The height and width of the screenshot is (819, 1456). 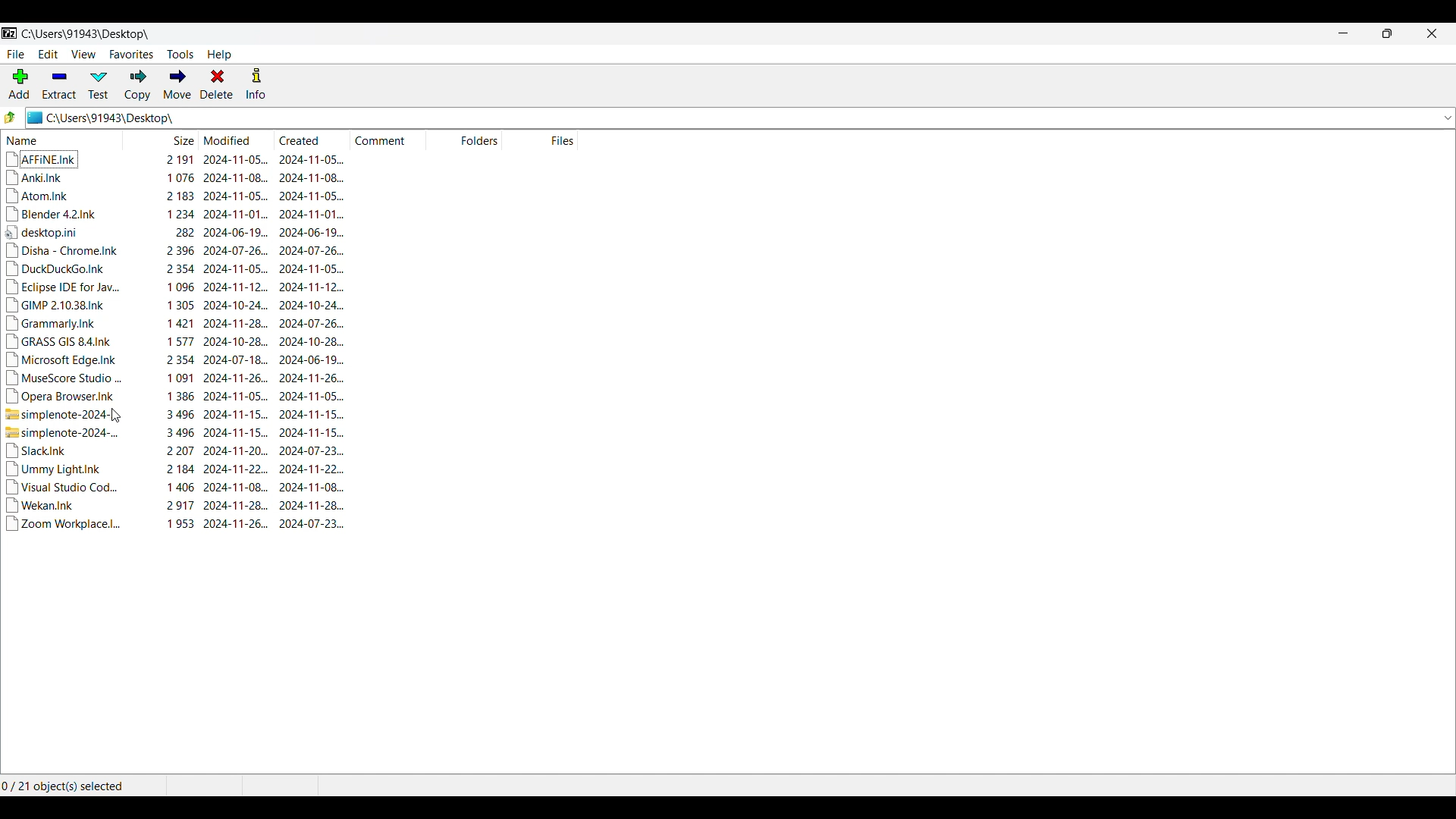 I want to click on Delete, so click(x=216, y=83).